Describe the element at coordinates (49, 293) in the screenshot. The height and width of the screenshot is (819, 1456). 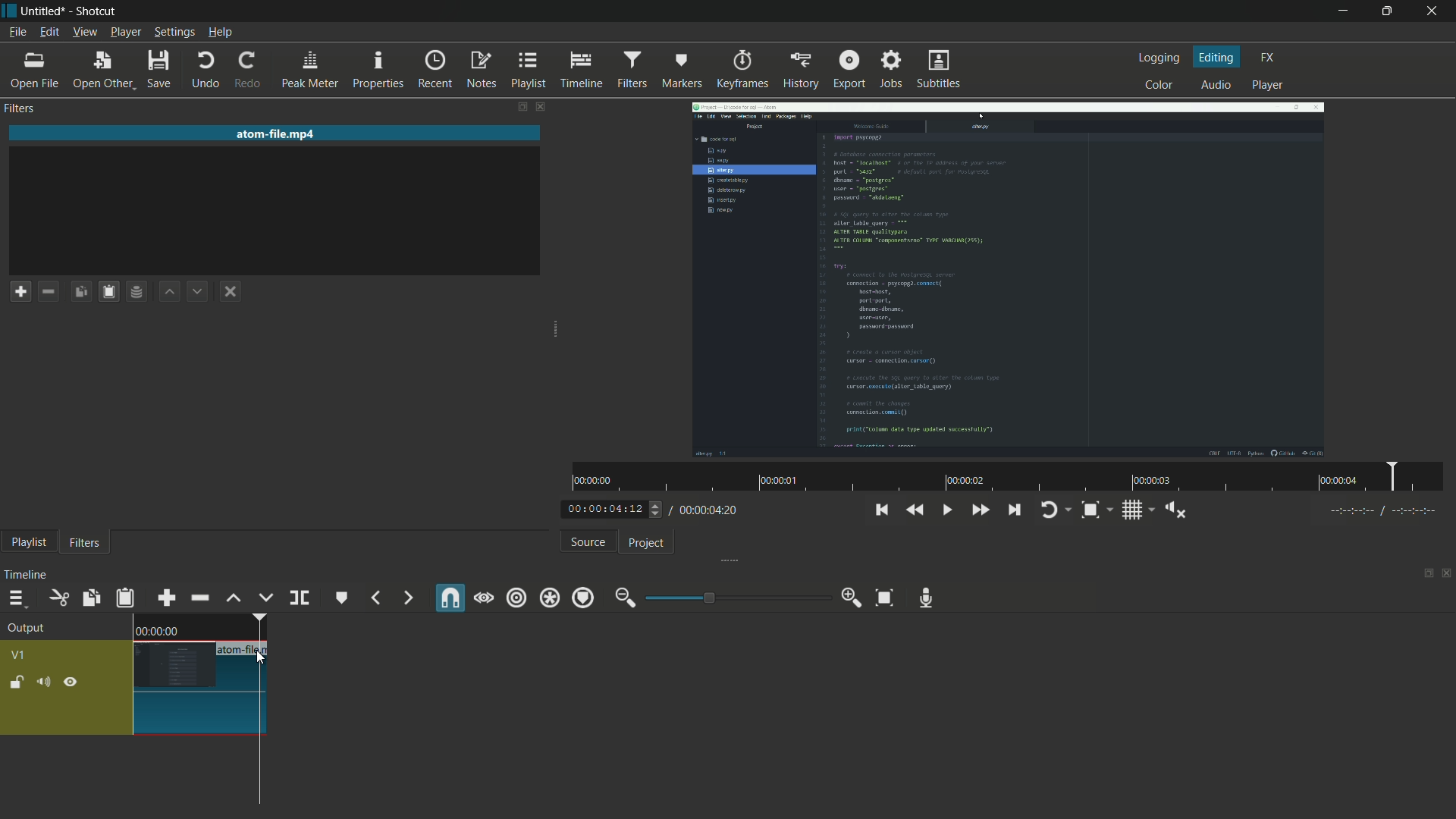
I see `remove filter` at that location.